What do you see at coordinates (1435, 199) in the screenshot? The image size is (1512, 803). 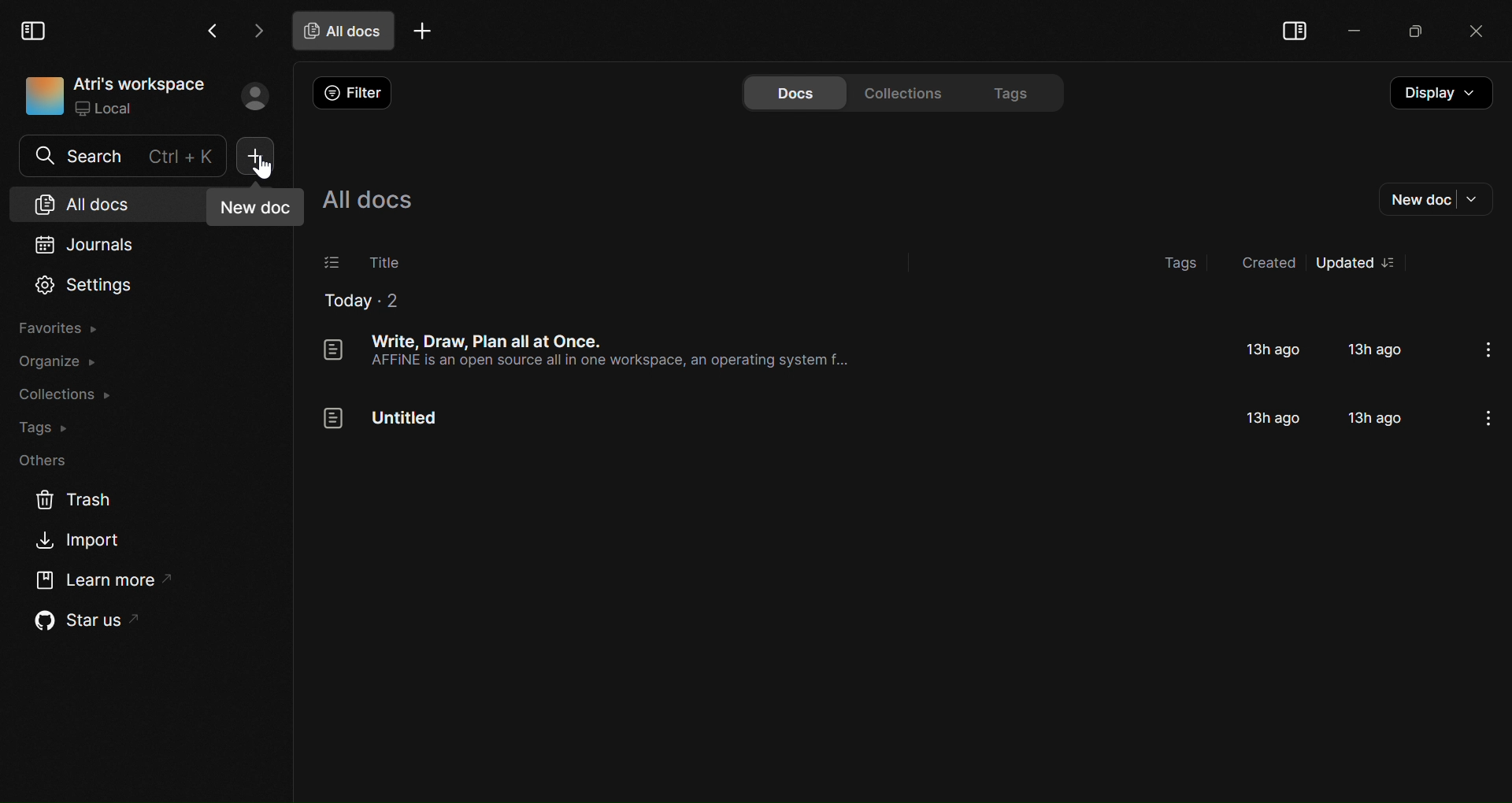 I see `New doc` at bounding box center [1435, 199].